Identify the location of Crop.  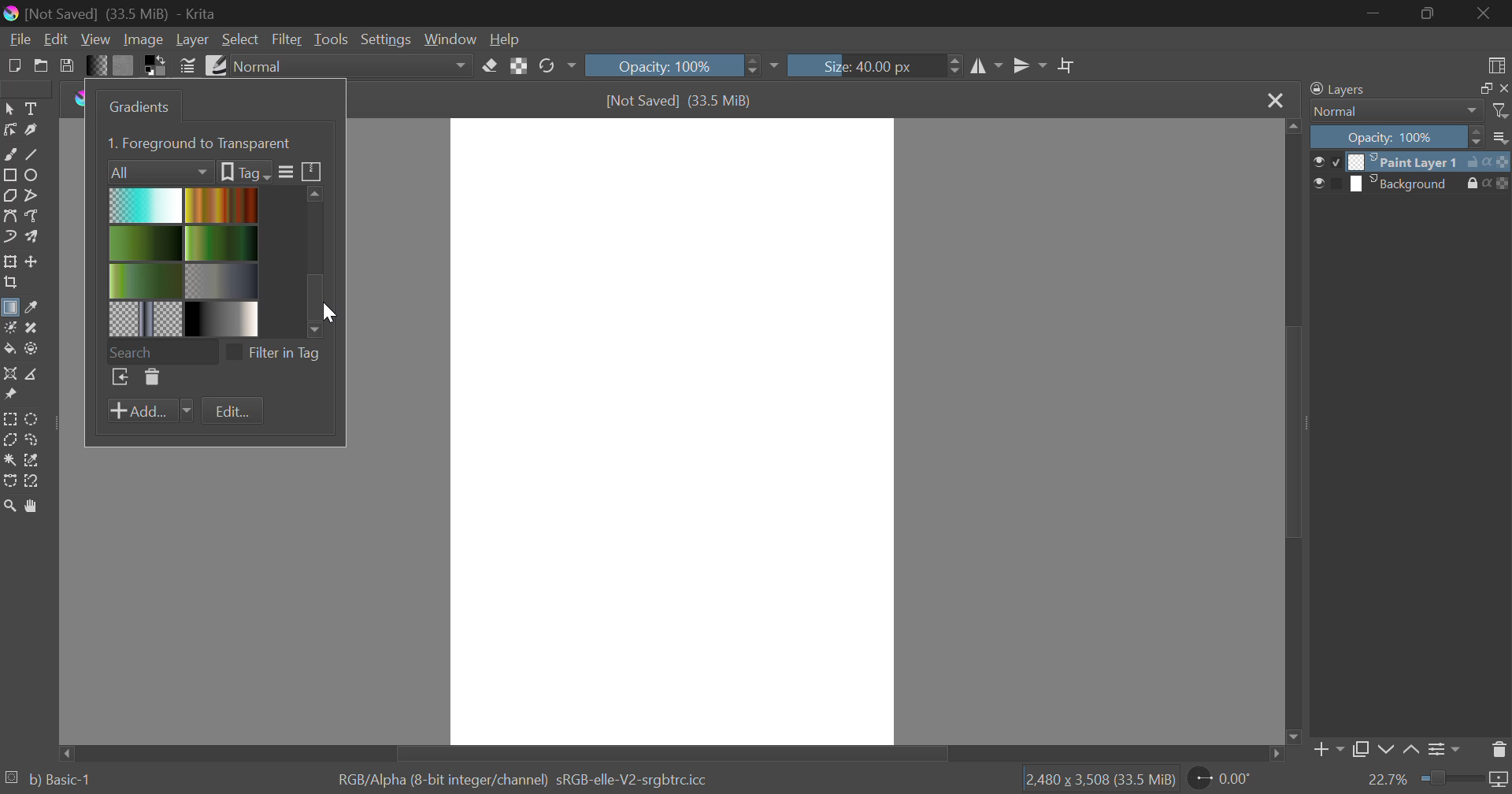
(1067, 66).